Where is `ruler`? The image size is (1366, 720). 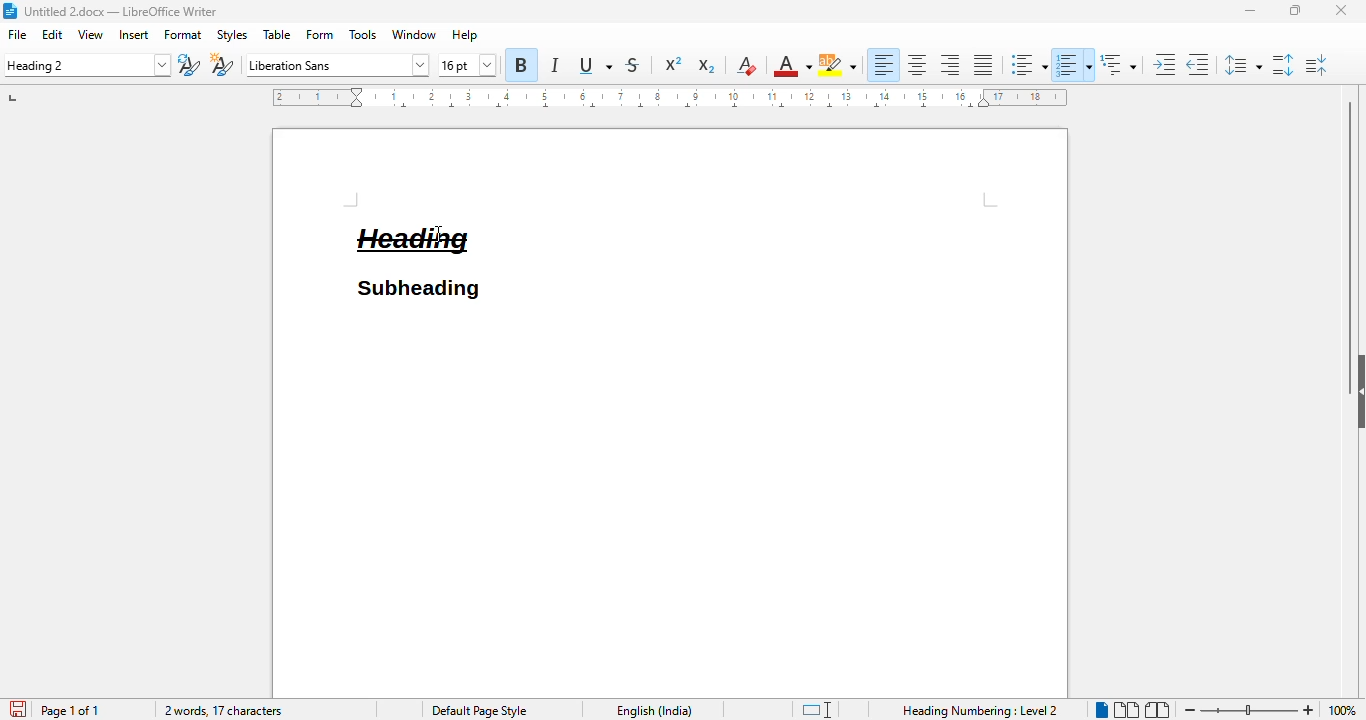 ruler is located at coordinates (668, 97).